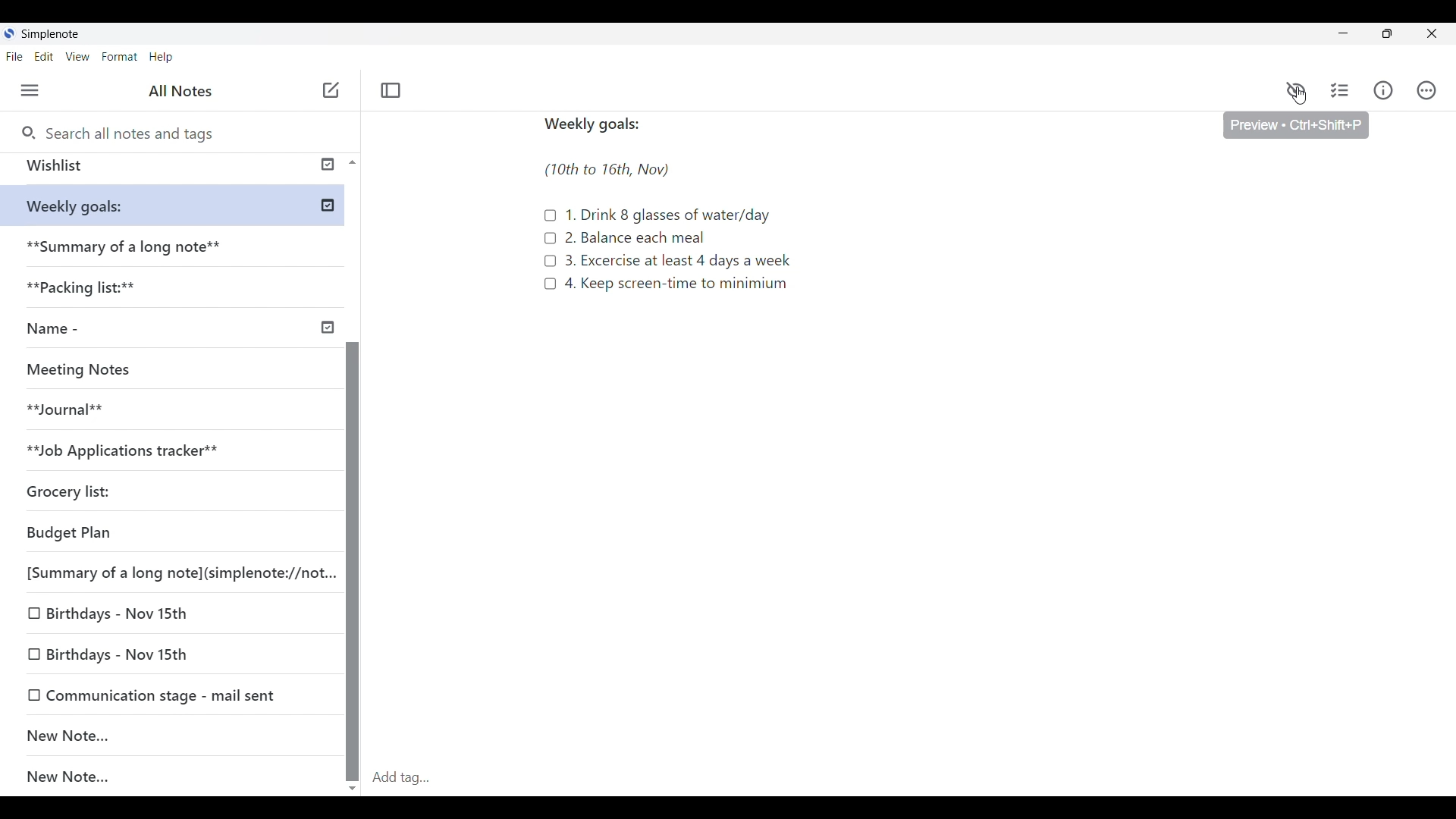 Image resolution: width=1456 pixels, height=819 pixels. I want to click on cursor, so click(1300, 96).